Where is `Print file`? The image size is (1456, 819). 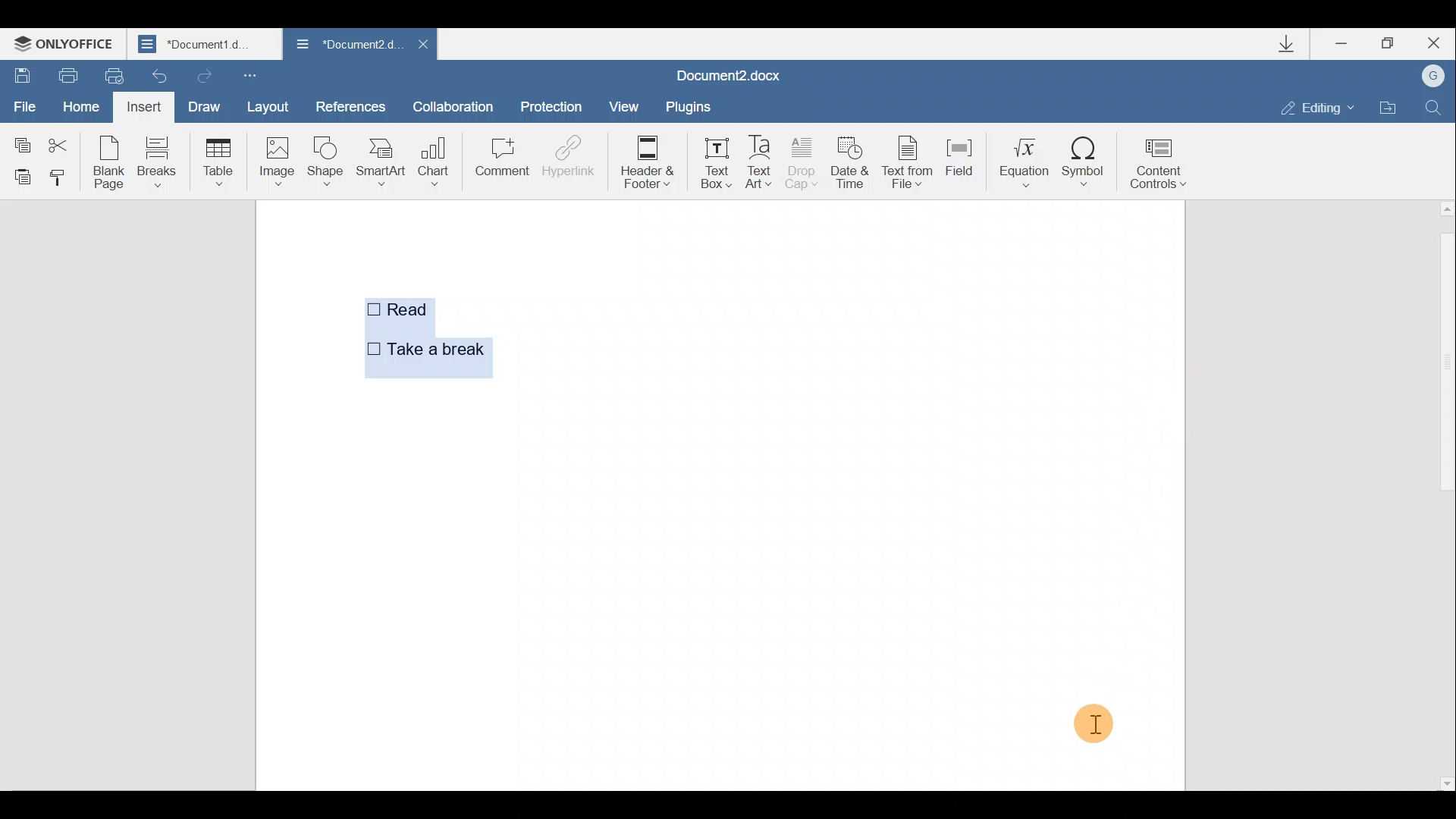
Print file is located at coordinates (67, 73).